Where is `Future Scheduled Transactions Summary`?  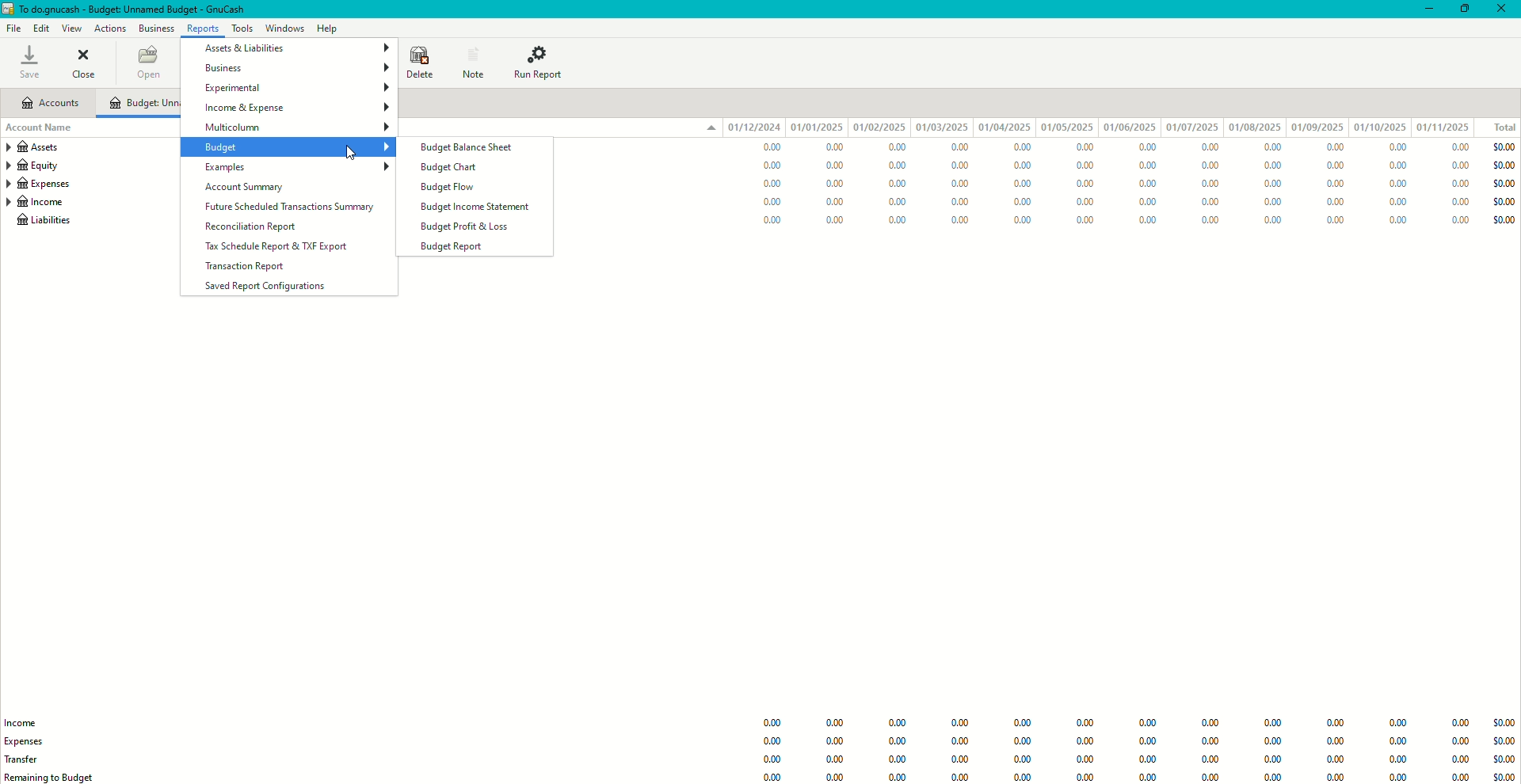
Future Scheduled Transactions Summary is located at coordinates (295, 207).